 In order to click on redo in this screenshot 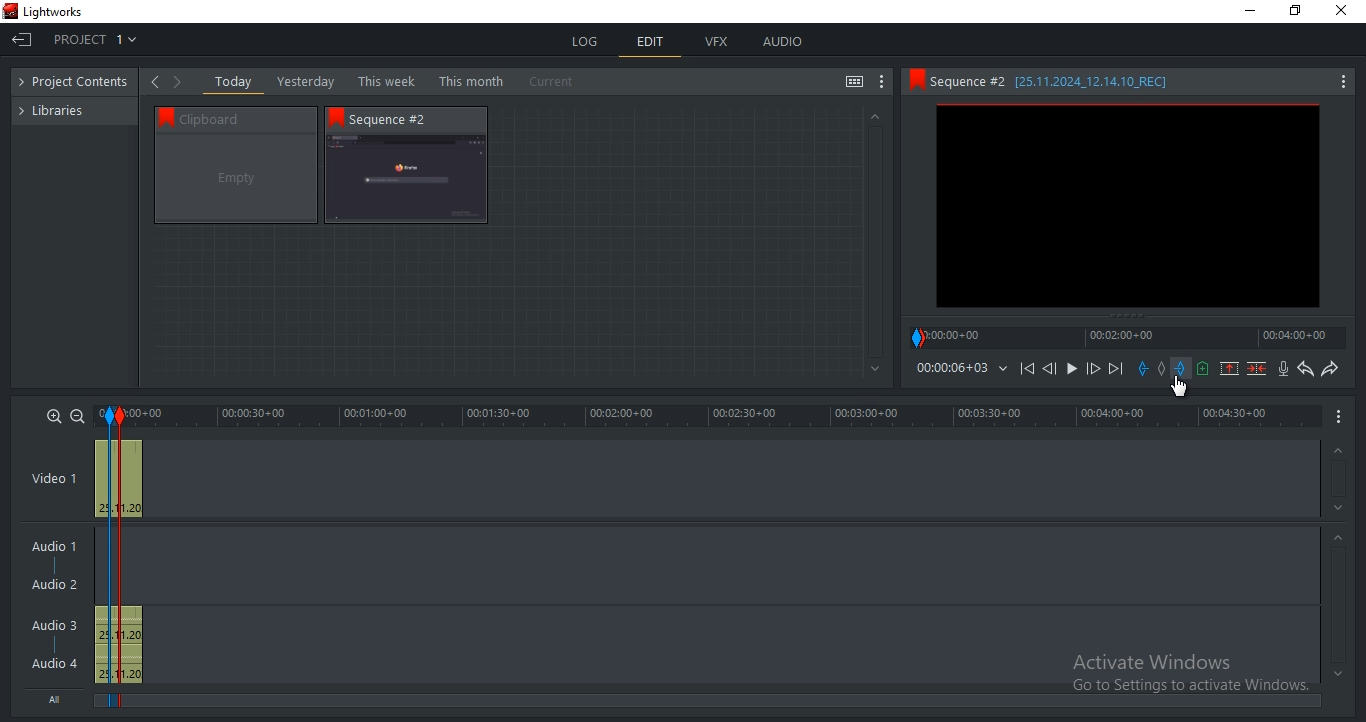, I will do `click(1329, 368)`.